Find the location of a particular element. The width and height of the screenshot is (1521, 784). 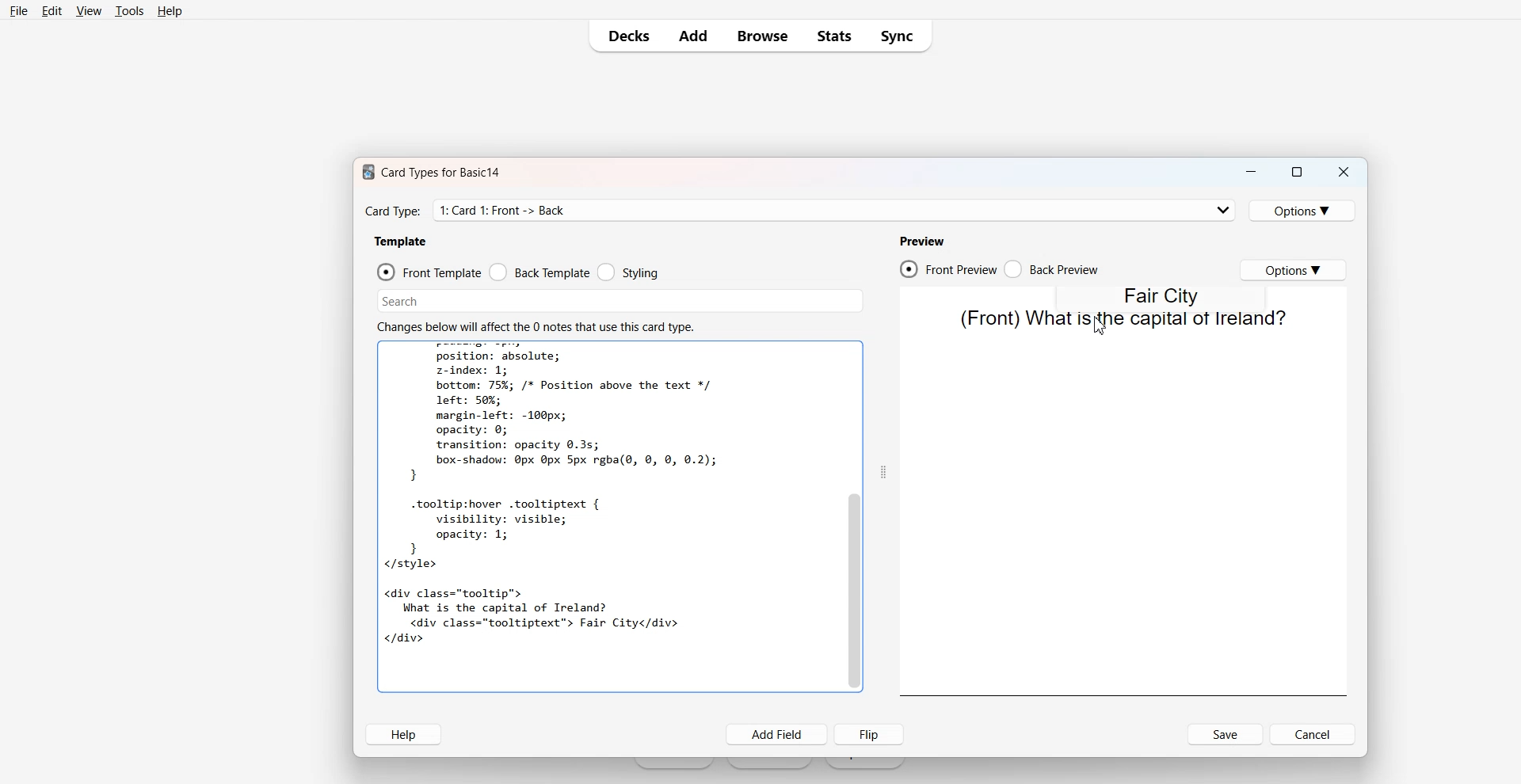

Drag handle is located at coordinates (884, 471).